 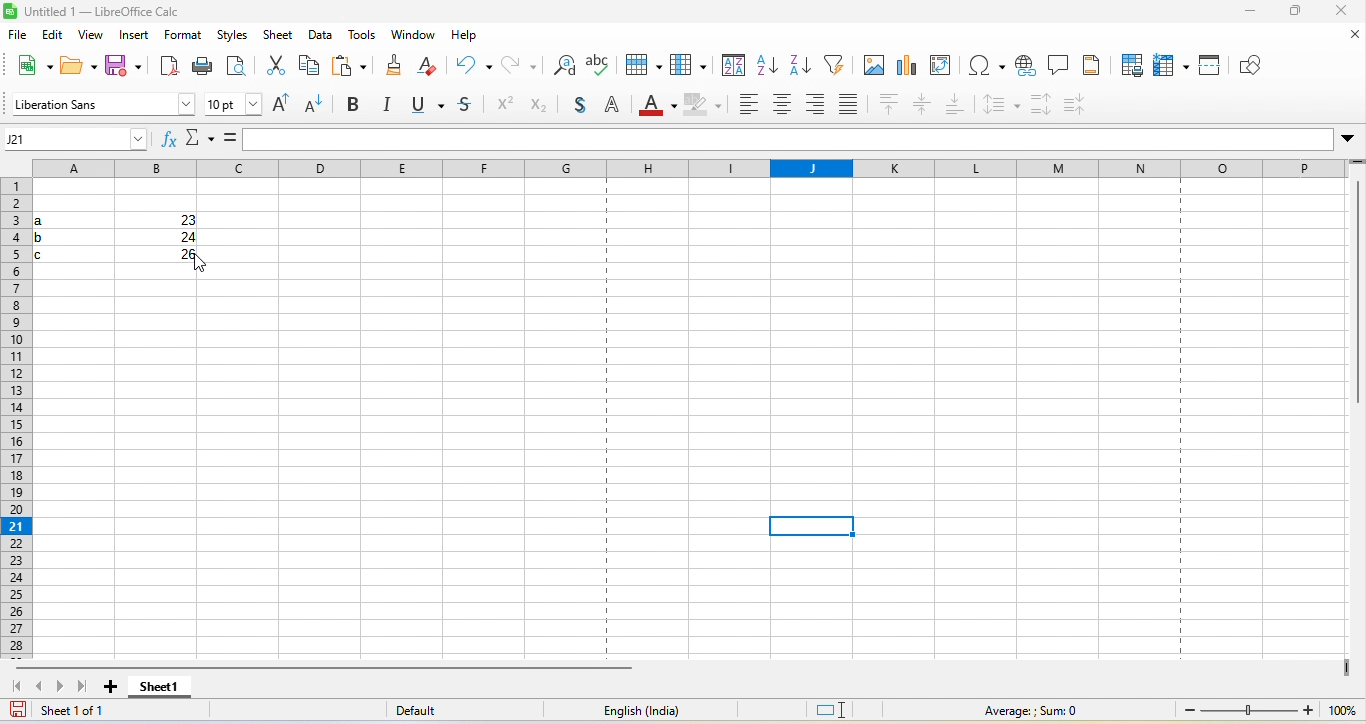 I want to click on previous sheet, so click(x=40, y=688).